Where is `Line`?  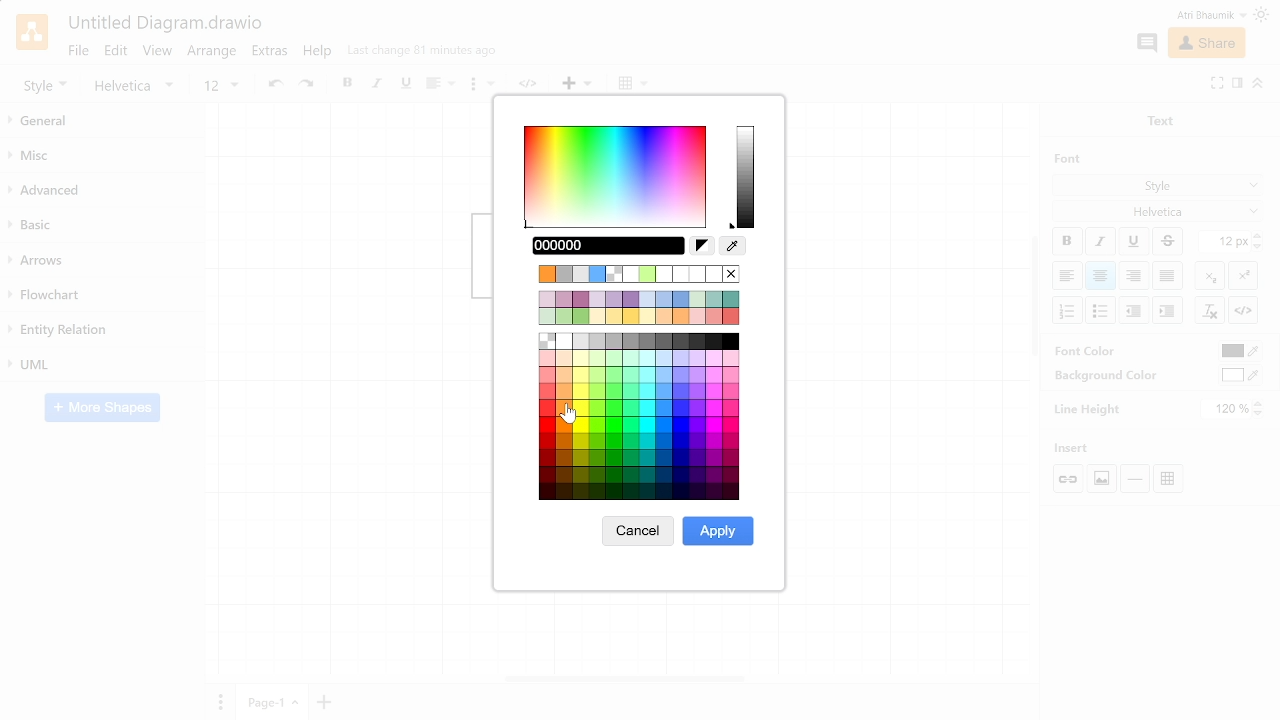
Line is located at coordinates (1135, 479).